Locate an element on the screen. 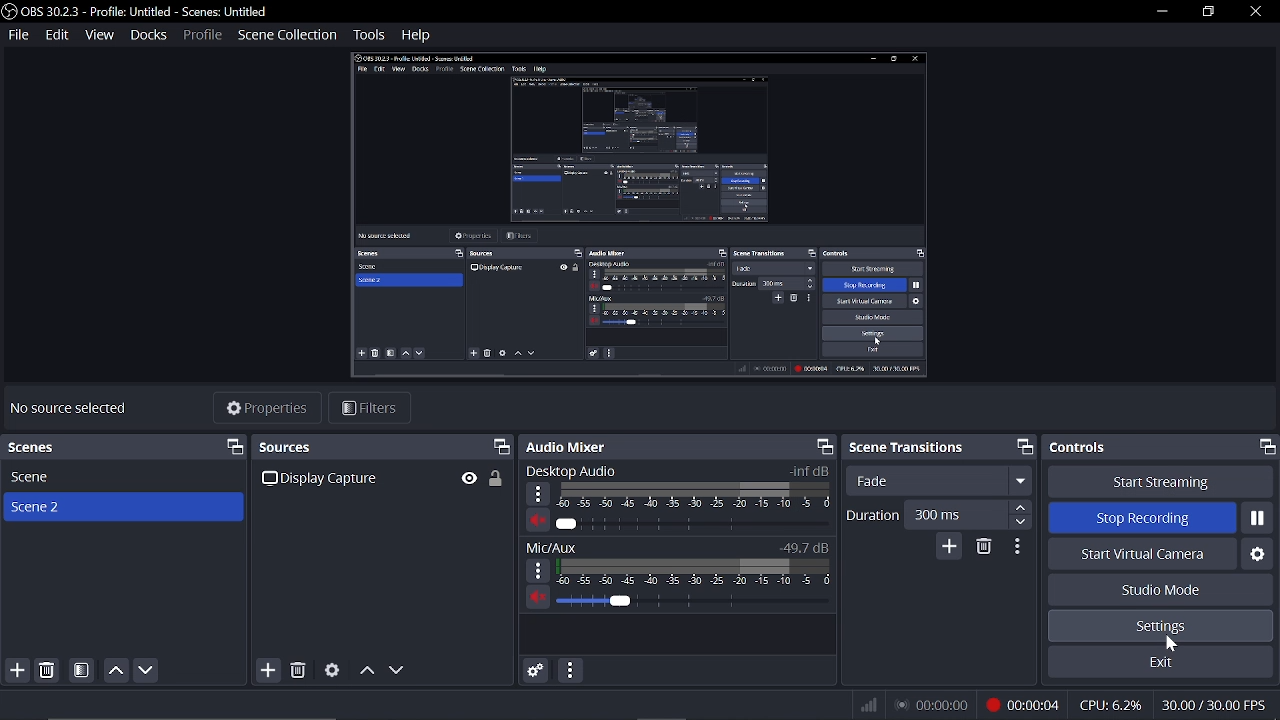 This screenshot has height=720, width=1280. Fade is located at coordinates (940, 479).